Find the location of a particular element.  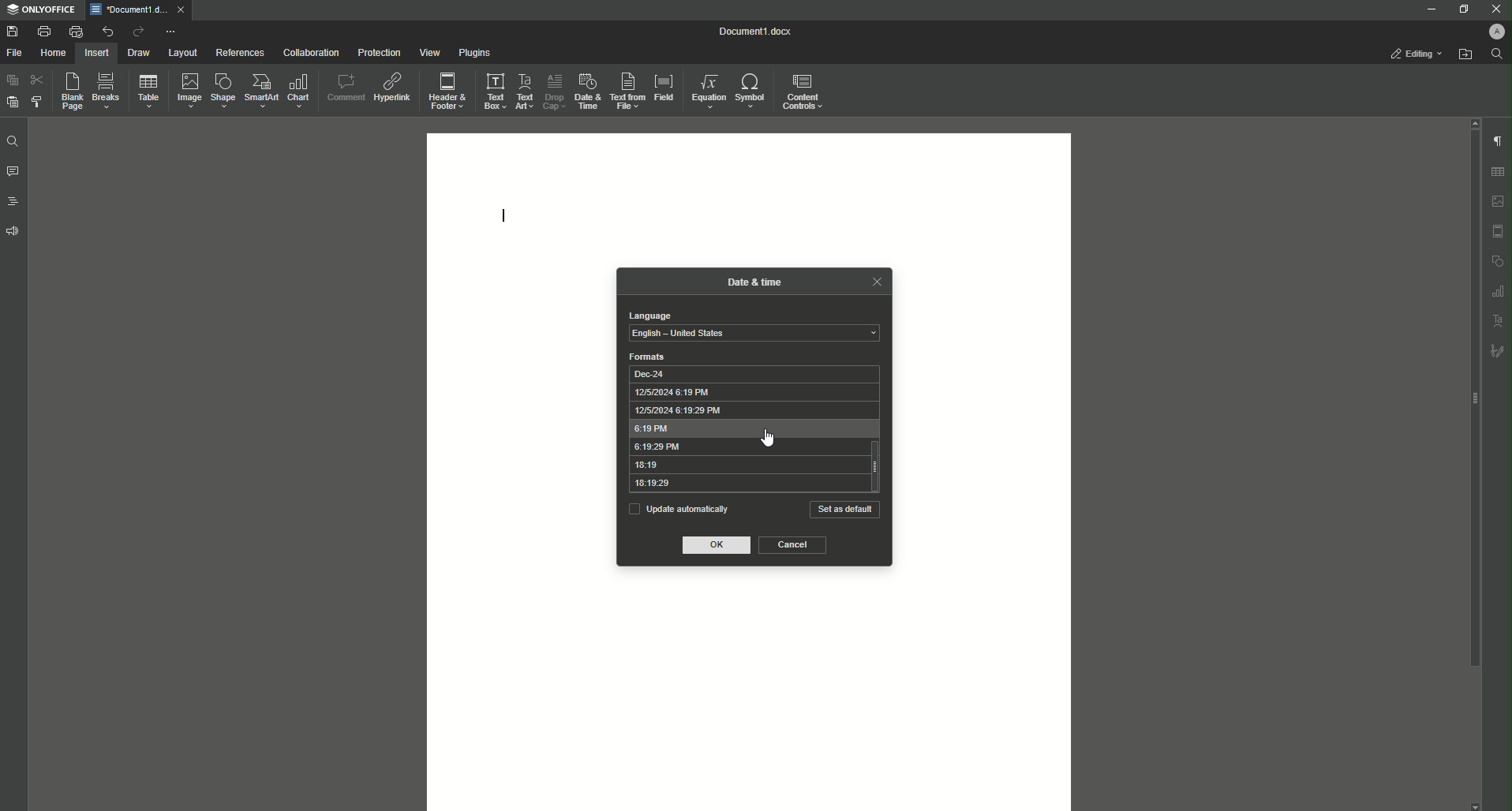

View is located at coordinates (425, 52).